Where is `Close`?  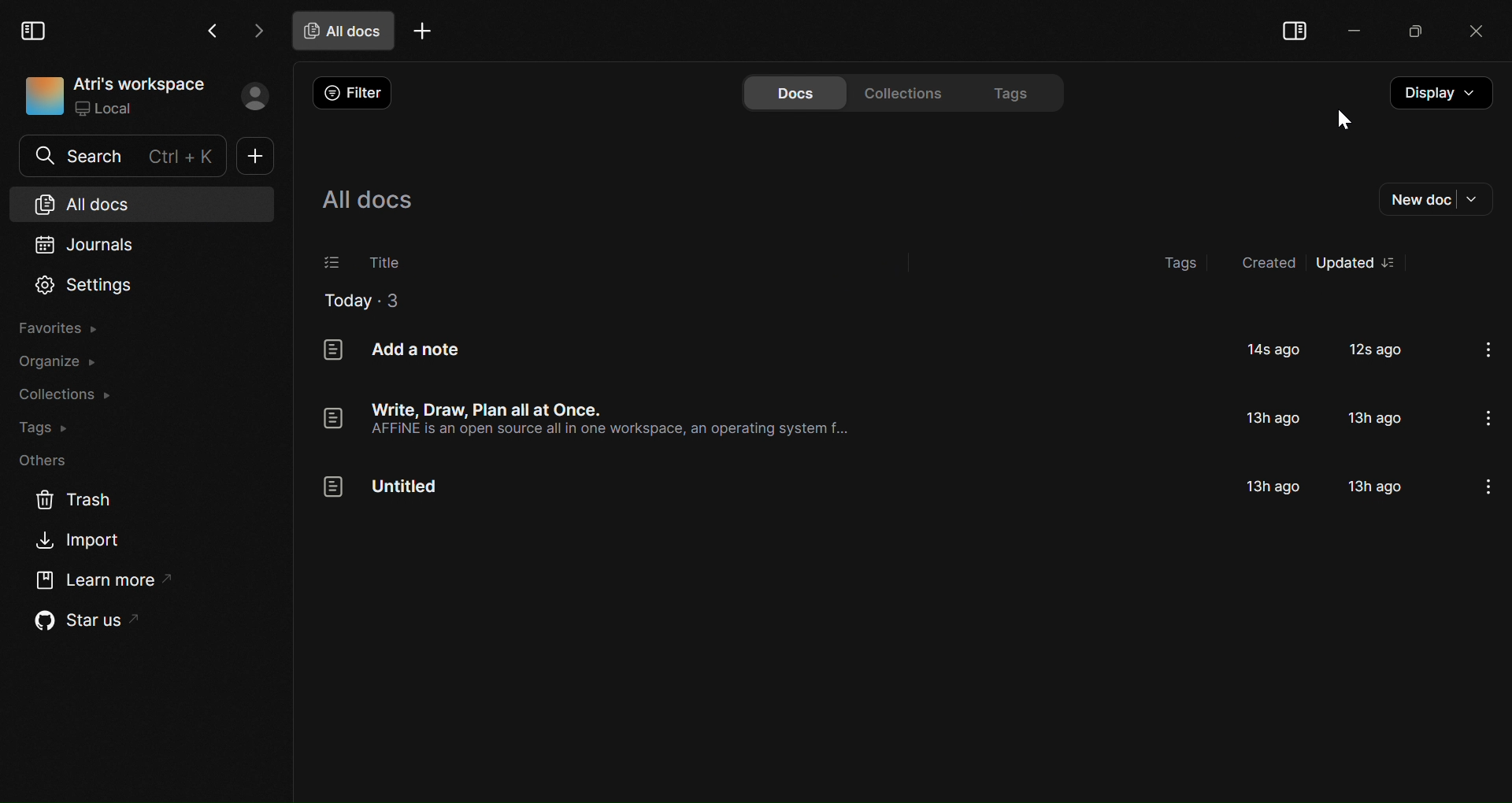
Close is located at coordinates (1470, 33).